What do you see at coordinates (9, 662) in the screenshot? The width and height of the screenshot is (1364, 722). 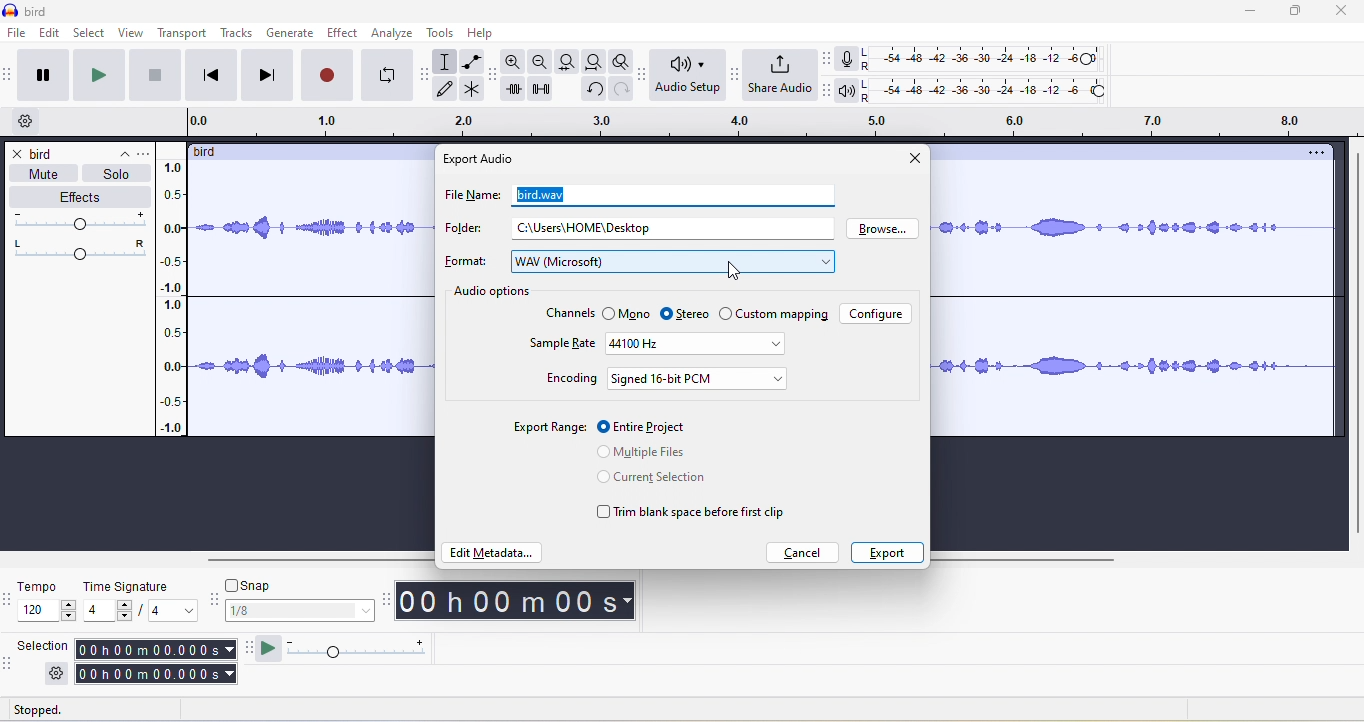 I see `audacity selection toolbar` at bounding box center [9, 662].